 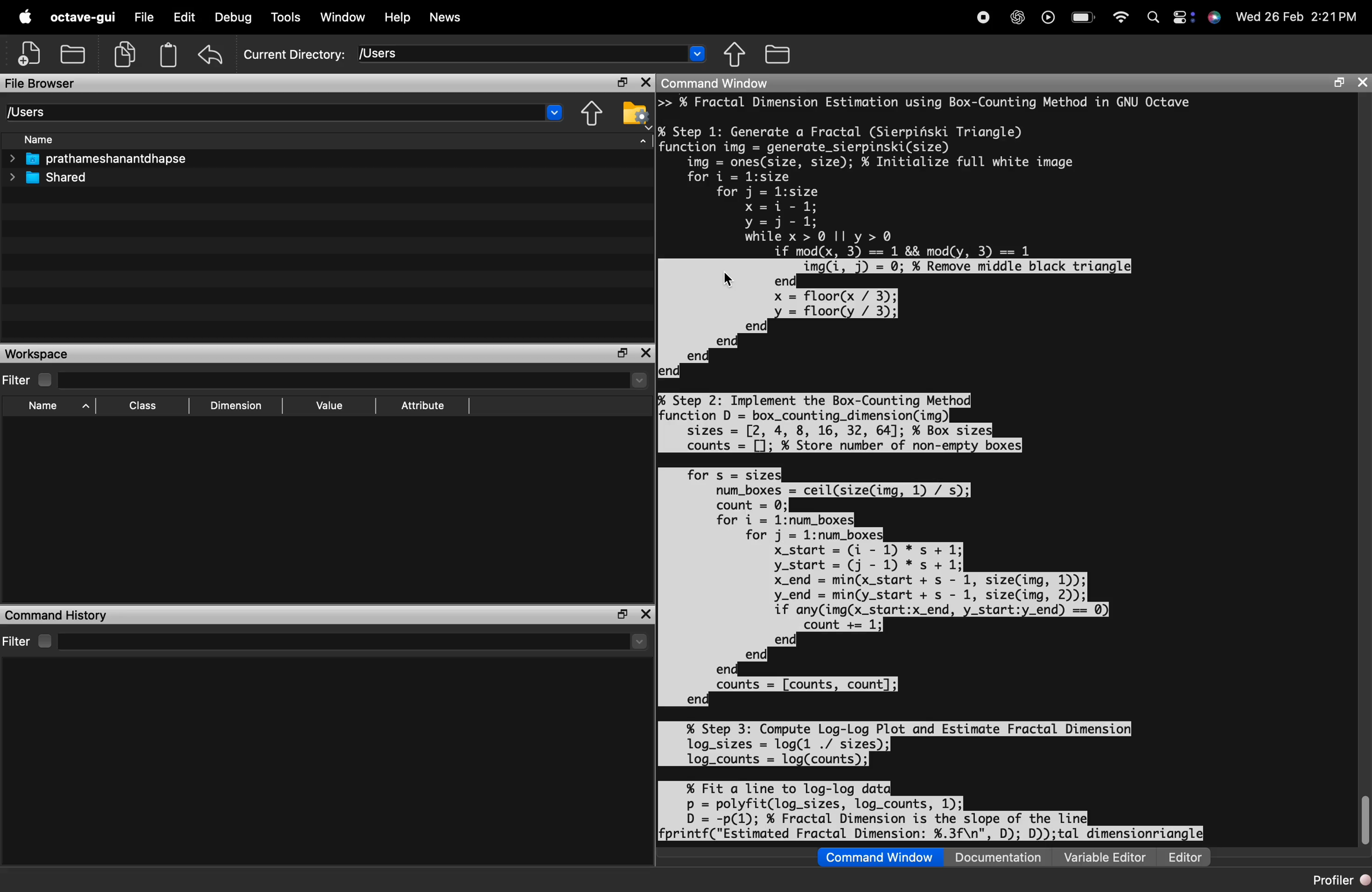 What do you see at coordinates (1020, 17) in the screenshot?
I see `AI` at bounding box center [1020, 17].